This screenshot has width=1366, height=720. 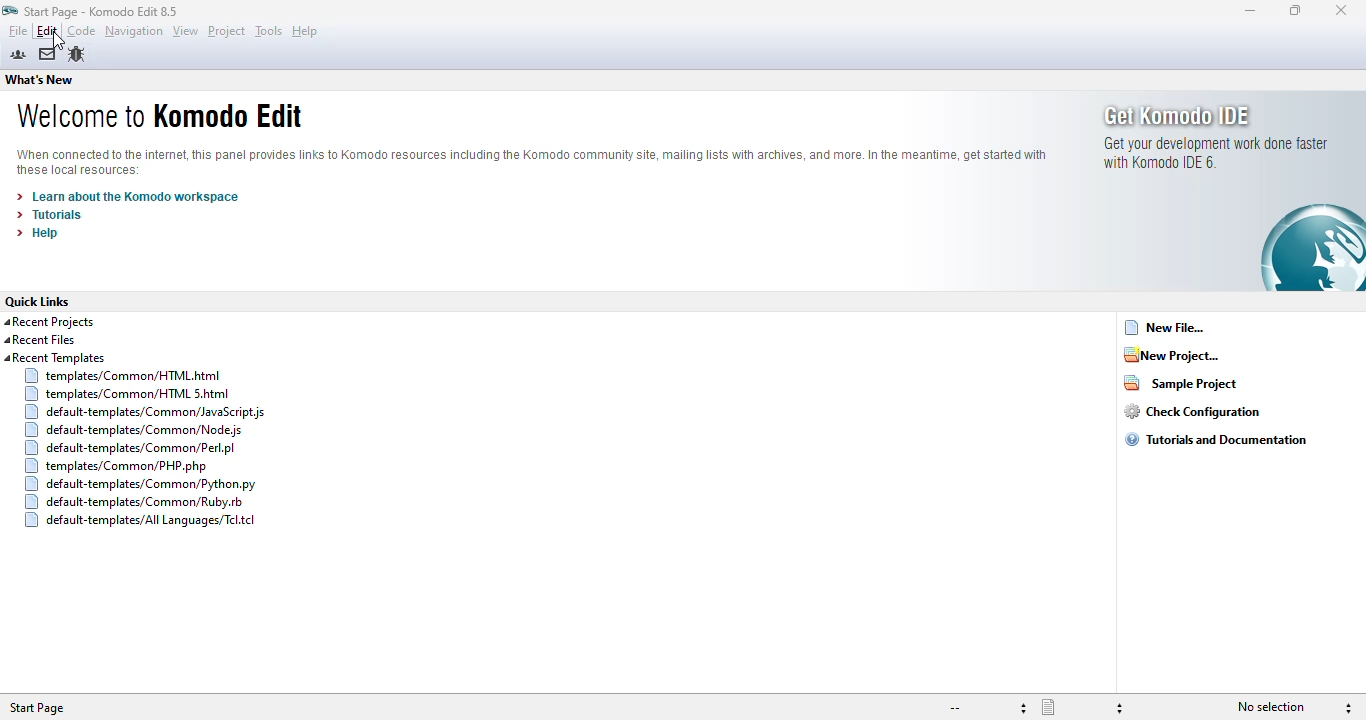 I want to click on recent templates, so click(x=137, y=442).